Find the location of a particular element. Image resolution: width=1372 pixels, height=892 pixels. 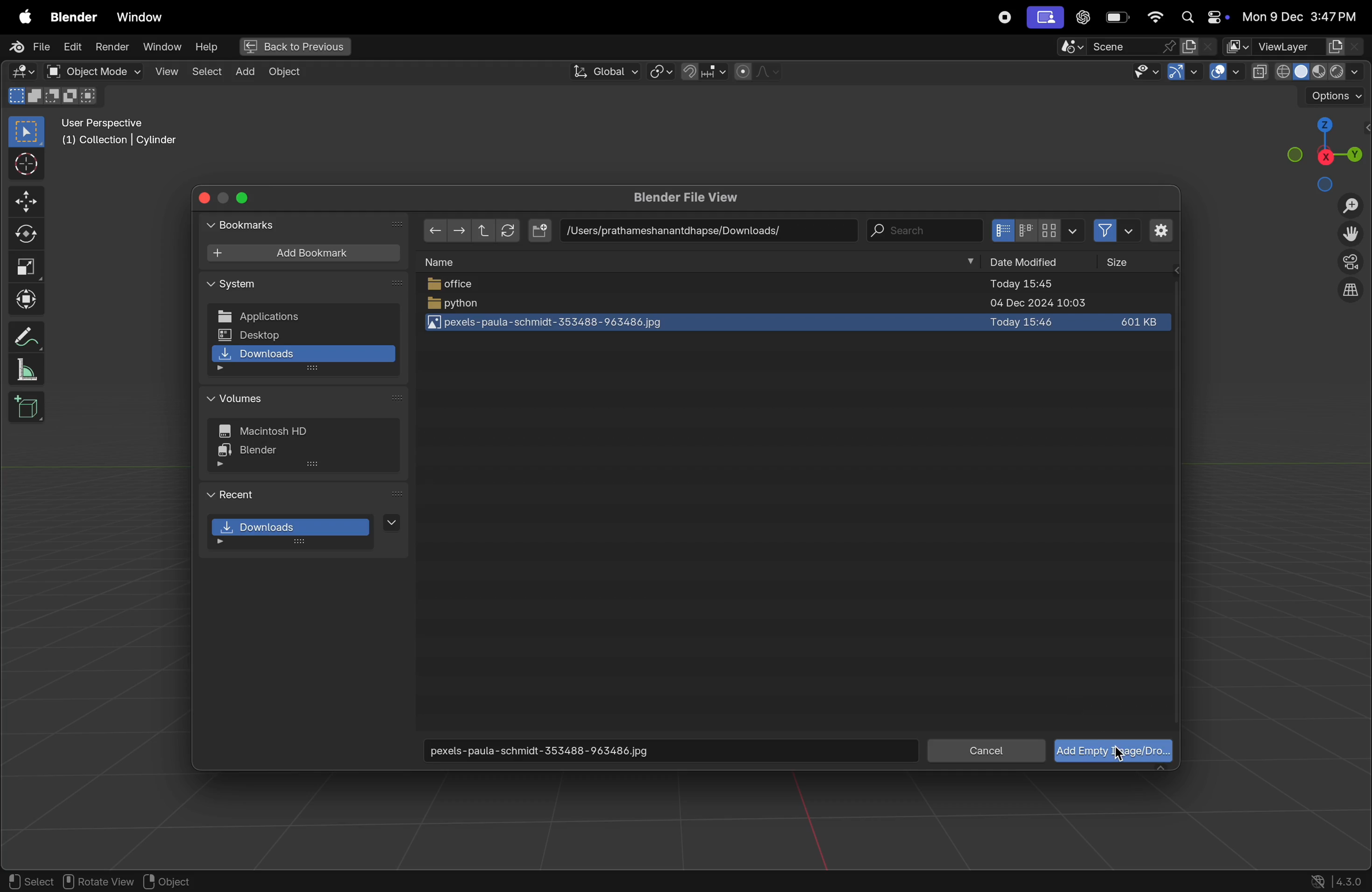

score is located at coordinates (1117, 46).